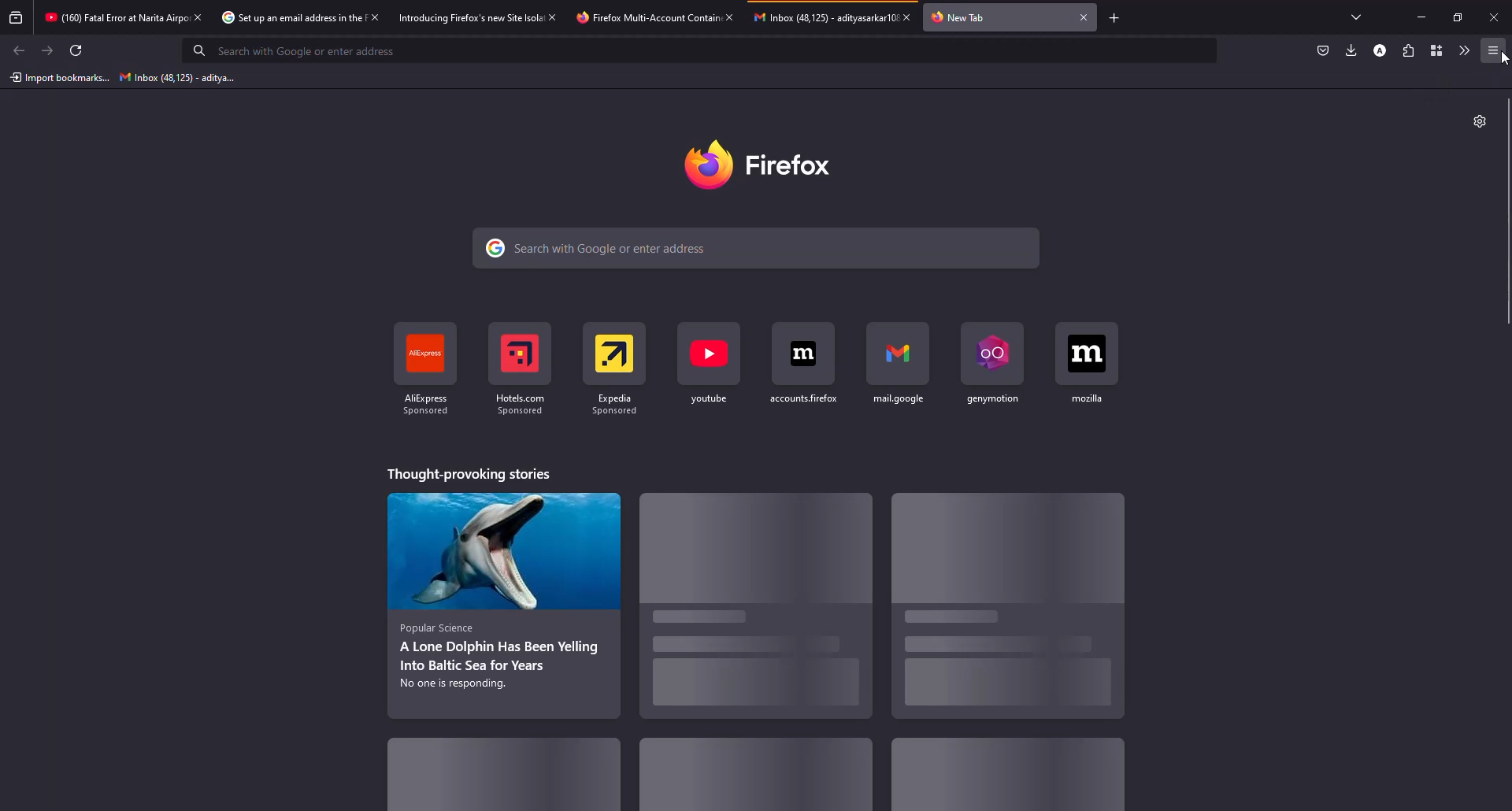 The image size is (1512, 811). Describe the element at coordinates (993, 602) in the screenshot. I see `stories` at that location.